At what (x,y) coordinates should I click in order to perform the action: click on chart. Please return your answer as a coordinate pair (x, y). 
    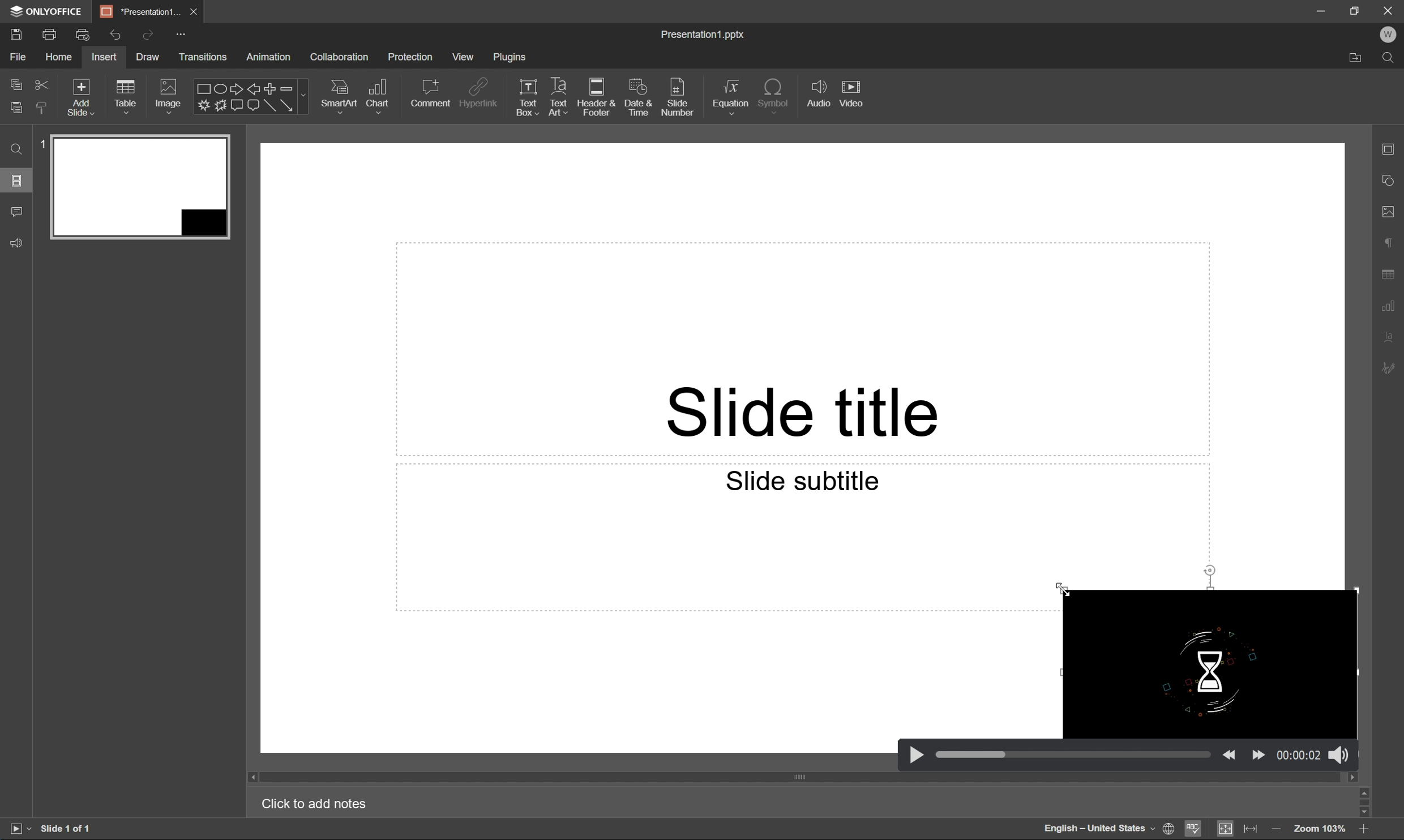
    Looking at the image, I should click on (378, 96).